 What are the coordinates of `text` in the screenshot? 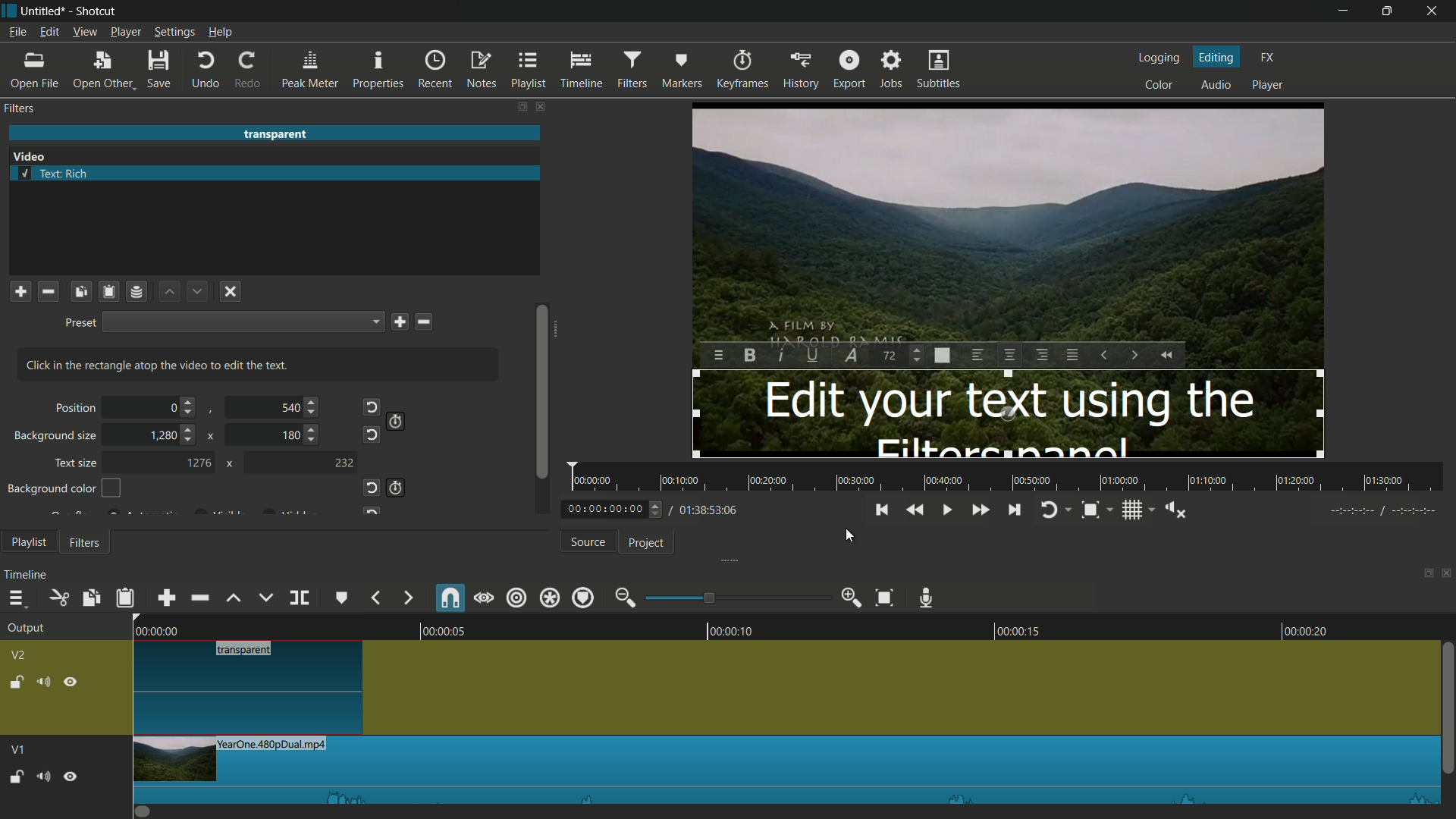 It's located at (161, 365).